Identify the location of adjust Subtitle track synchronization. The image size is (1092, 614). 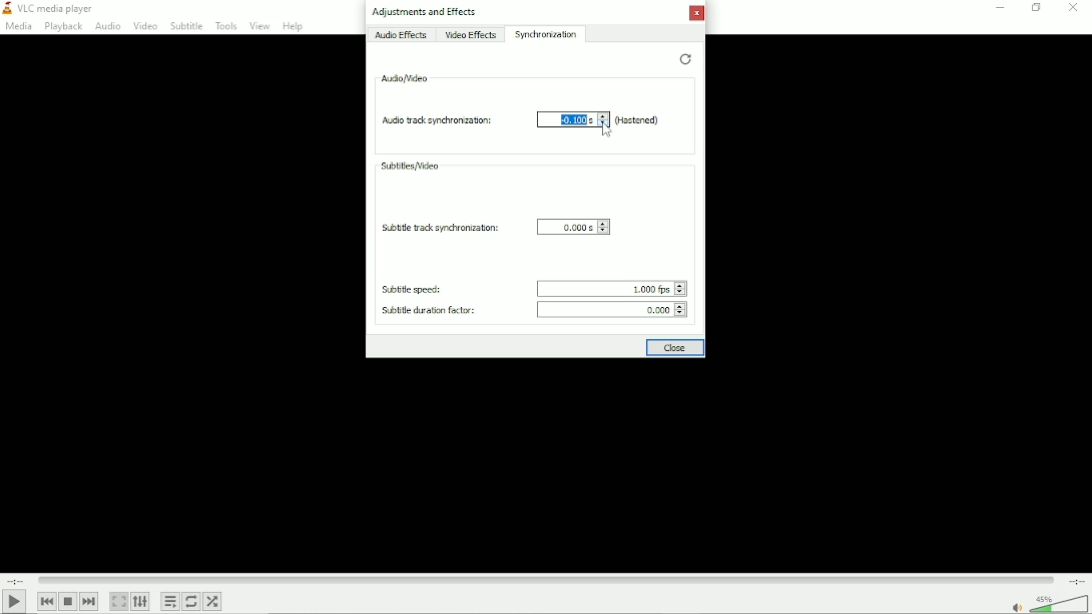
(604, 226).